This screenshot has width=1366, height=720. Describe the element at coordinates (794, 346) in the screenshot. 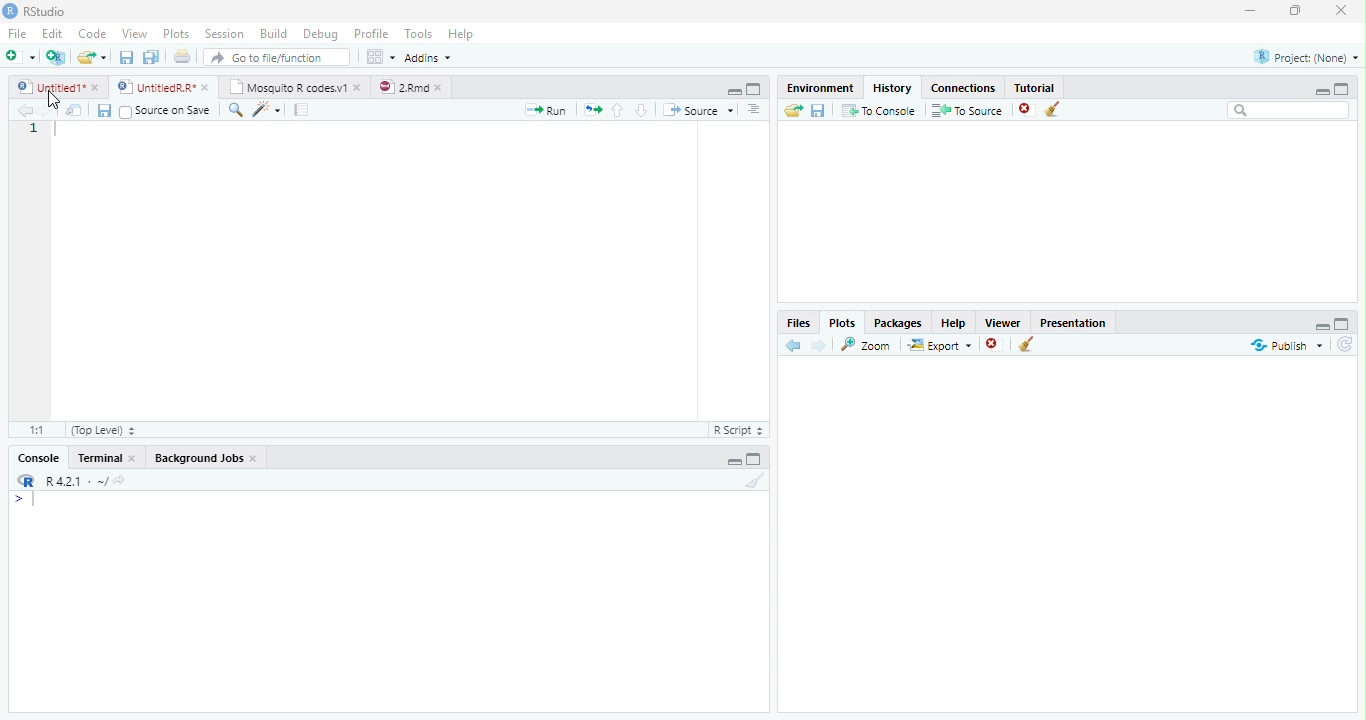

I see `Previous Slot` at that location.